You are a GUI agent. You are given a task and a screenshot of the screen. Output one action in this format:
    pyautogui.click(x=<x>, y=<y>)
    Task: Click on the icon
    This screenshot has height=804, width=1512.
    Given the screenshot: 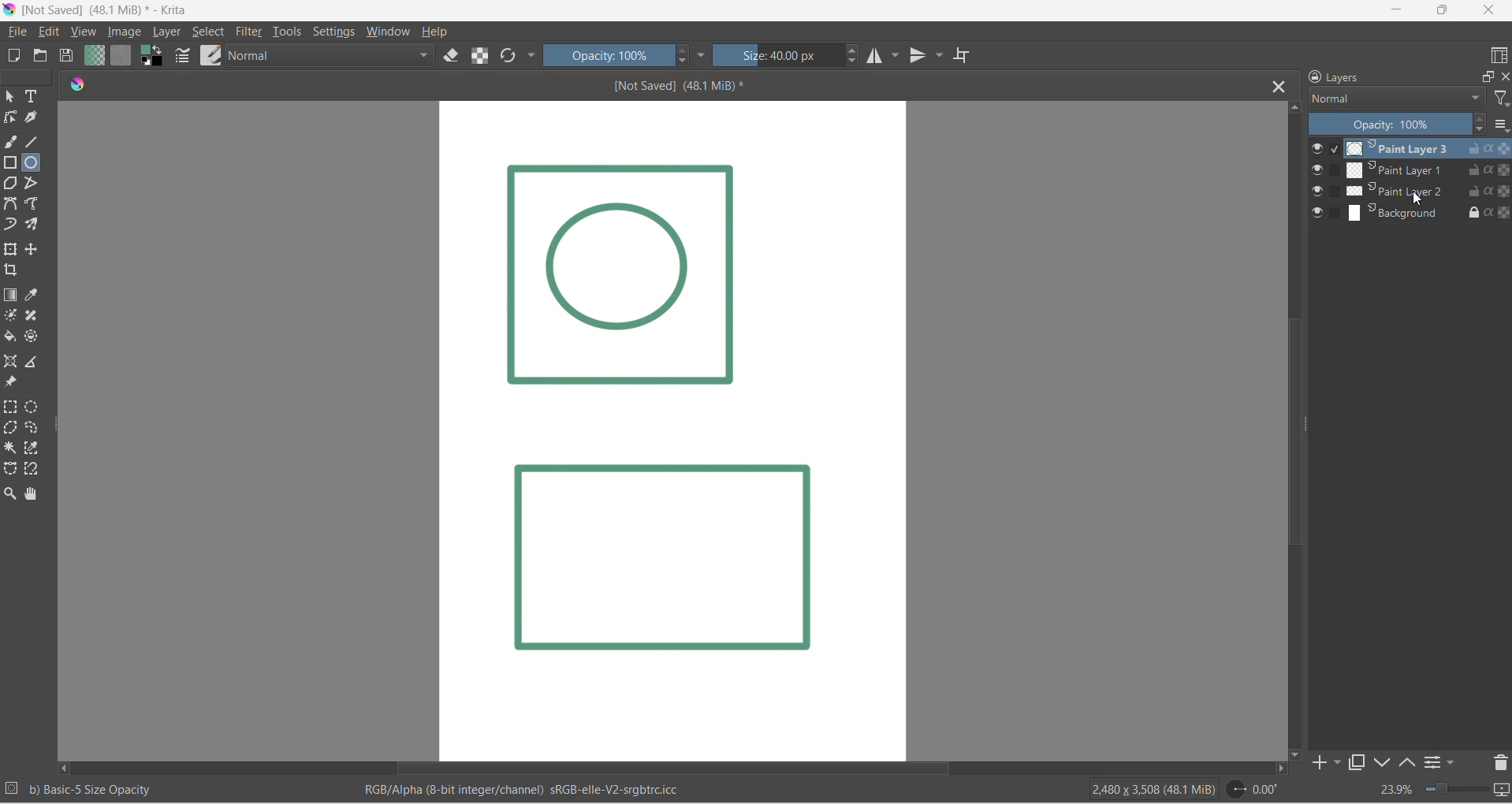 What is the action you would take?
    pyautogui.click(x=72, y=87)
    